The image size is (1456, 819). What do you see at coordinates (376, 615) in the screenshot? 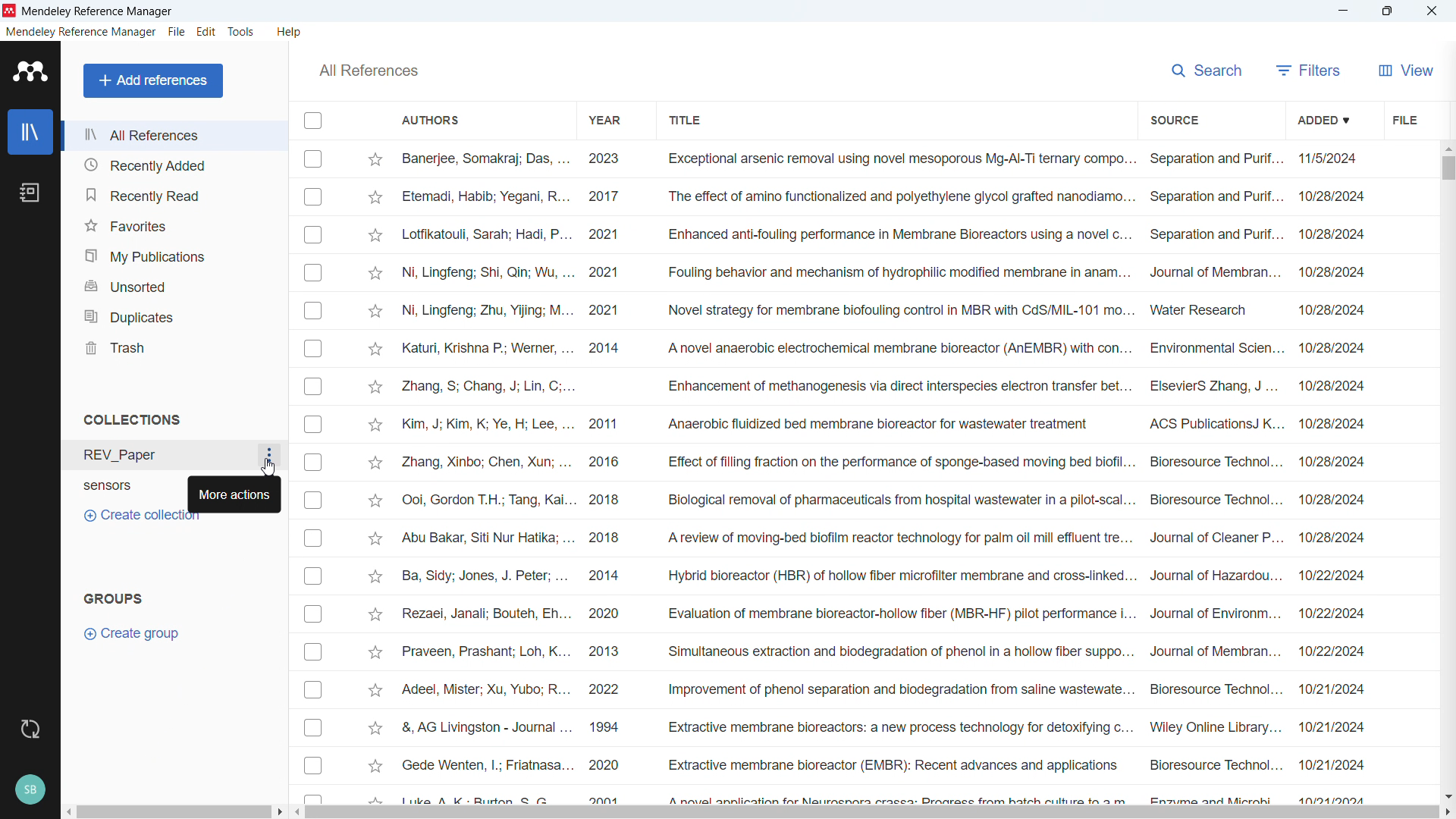
I see `Star mark respective publication` at bounding box center [376, 615].